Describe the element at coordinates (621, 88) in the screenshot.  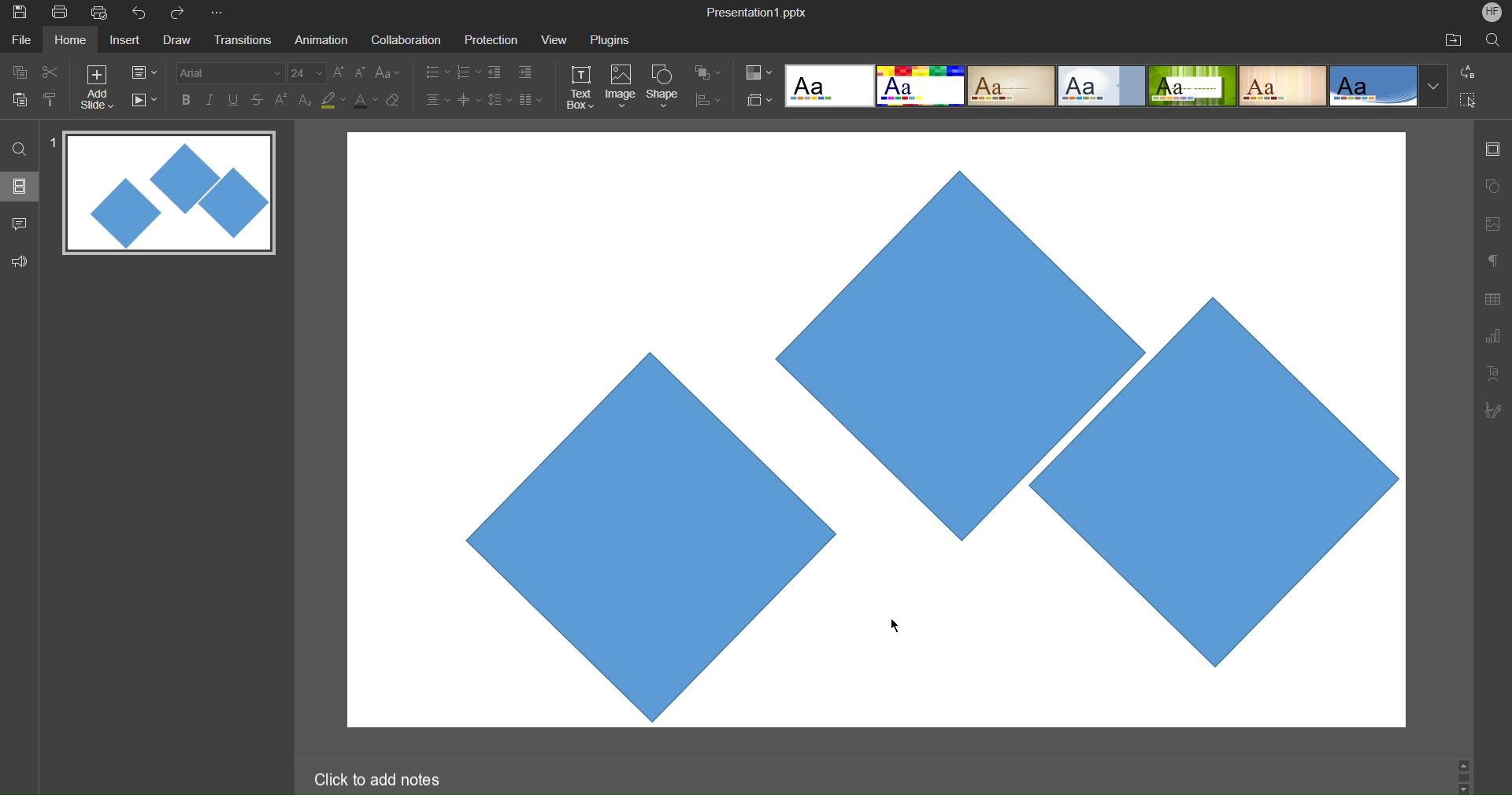
I see `Image` at that location.